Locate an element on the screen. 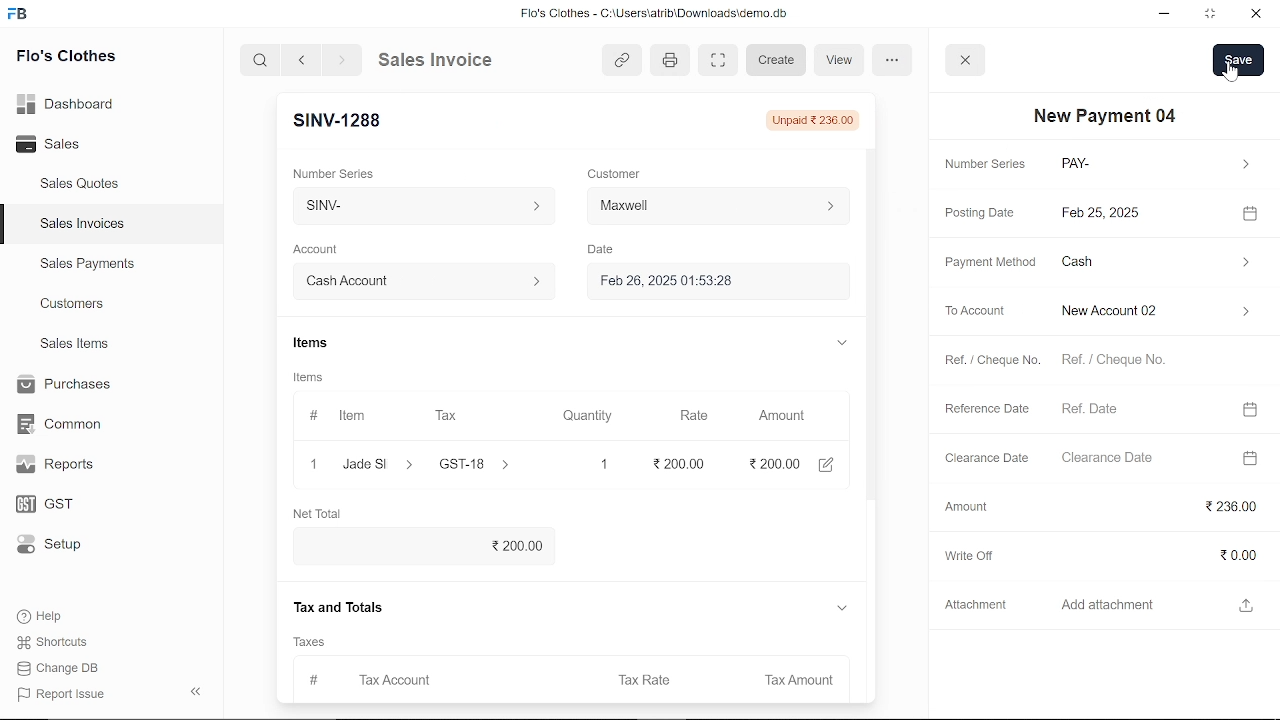 The width and height of the screenshot is (1280, 720). Feb 26, 2025 01:53:28 is located at coordinates (713, 279).